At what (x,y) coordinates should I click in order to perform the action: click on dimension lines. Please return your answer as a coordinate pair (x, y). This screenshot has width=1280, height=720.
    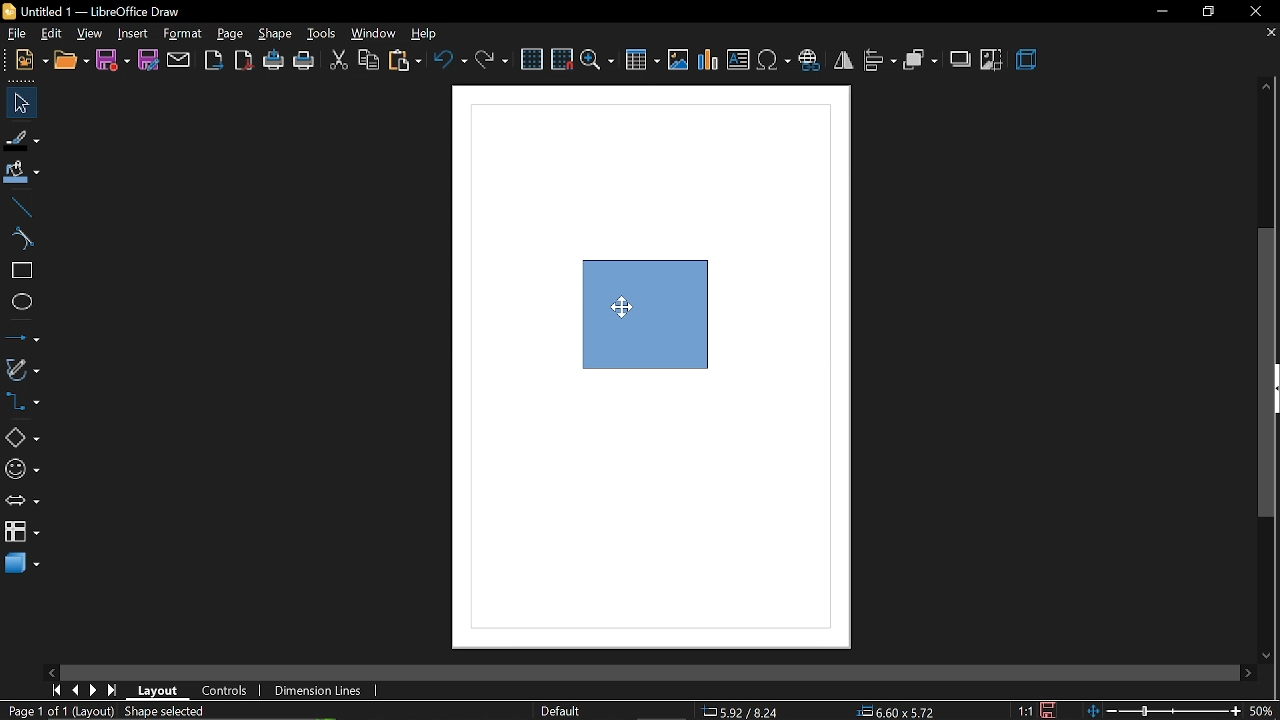
    Looking at the image, I should click on (318, 690).